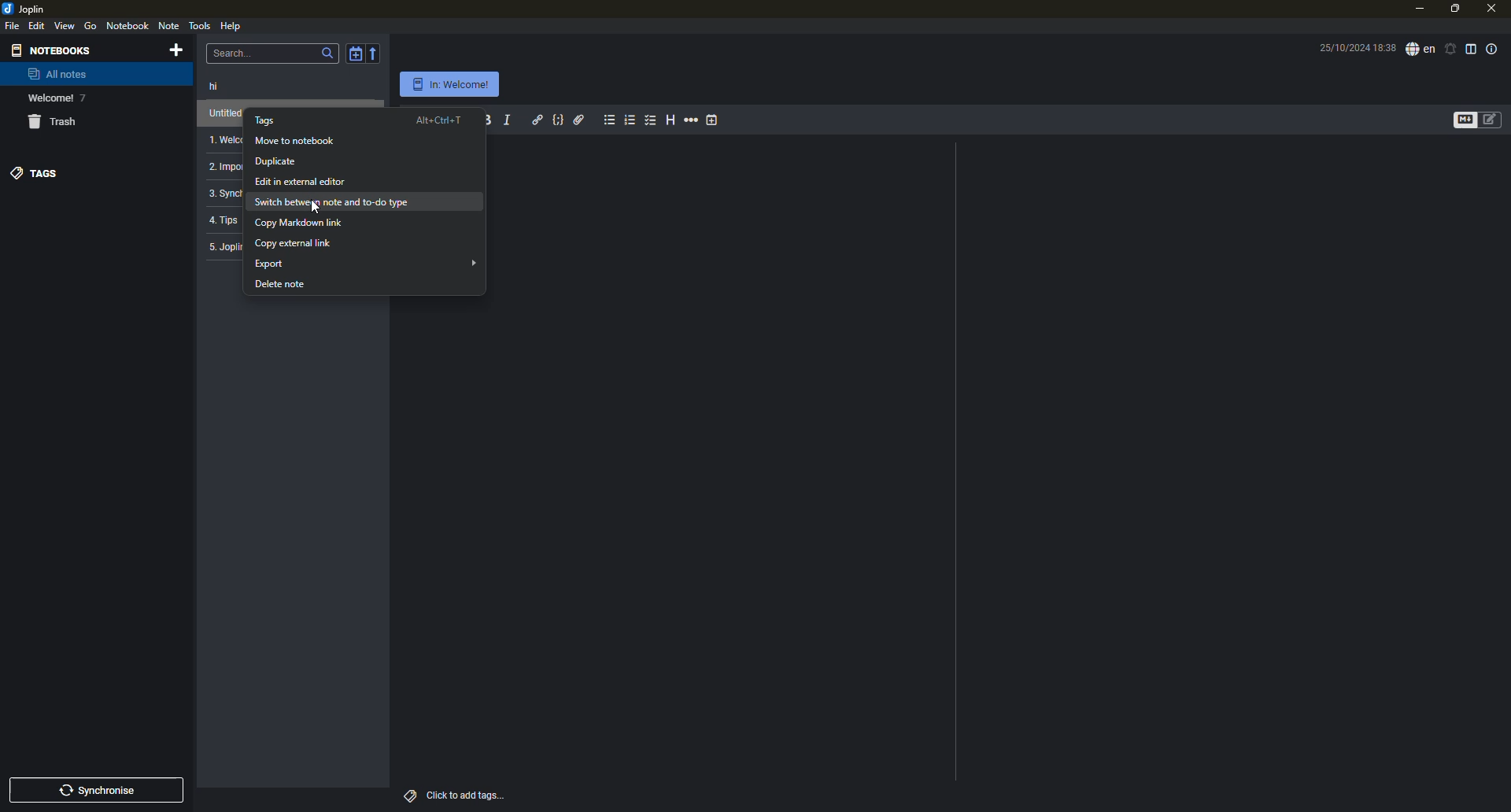  What do you see at coordinates (36, 26) in the screenshot?
I see `edit` at bounding box center [36, 26].